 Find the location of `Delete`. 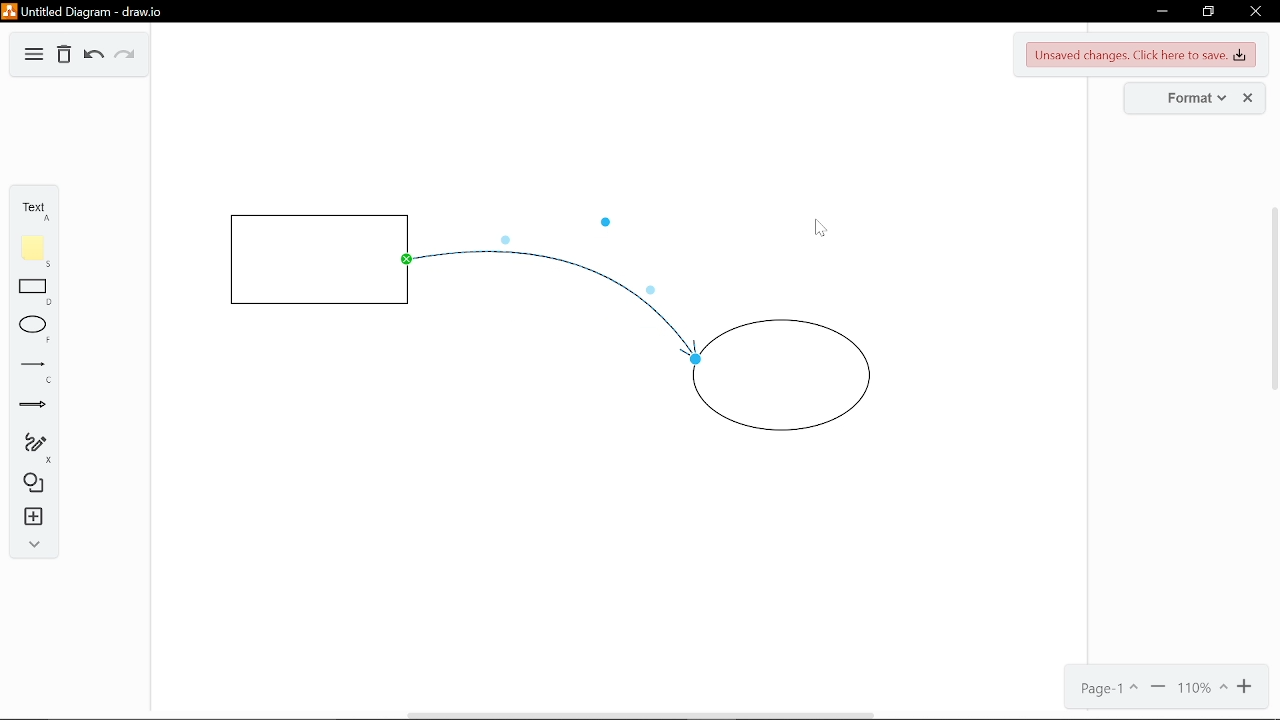

Delete is located at coordinates (65, 56).